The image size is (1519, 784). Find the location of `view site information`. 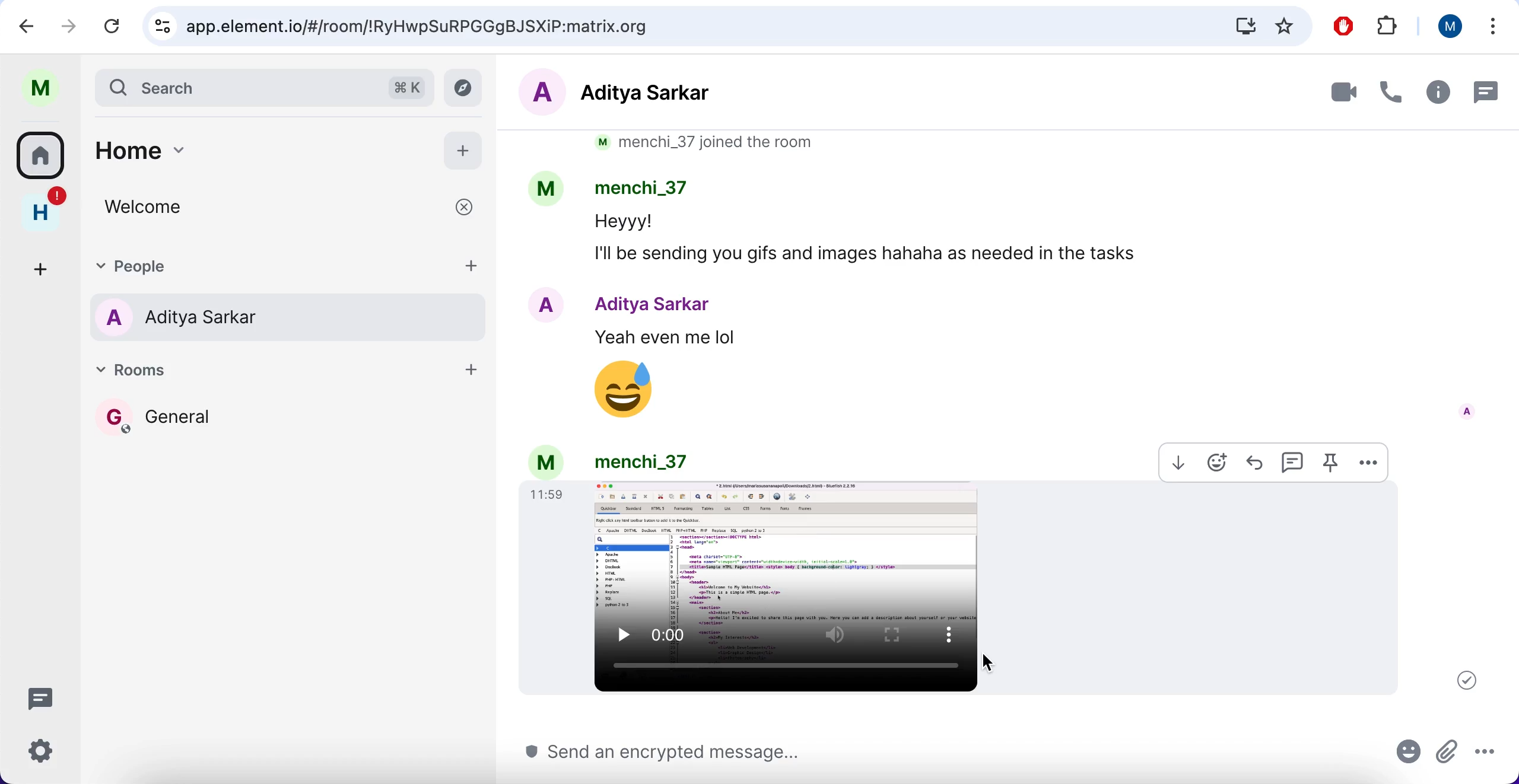

view site information is located at coordinates (161, 26).